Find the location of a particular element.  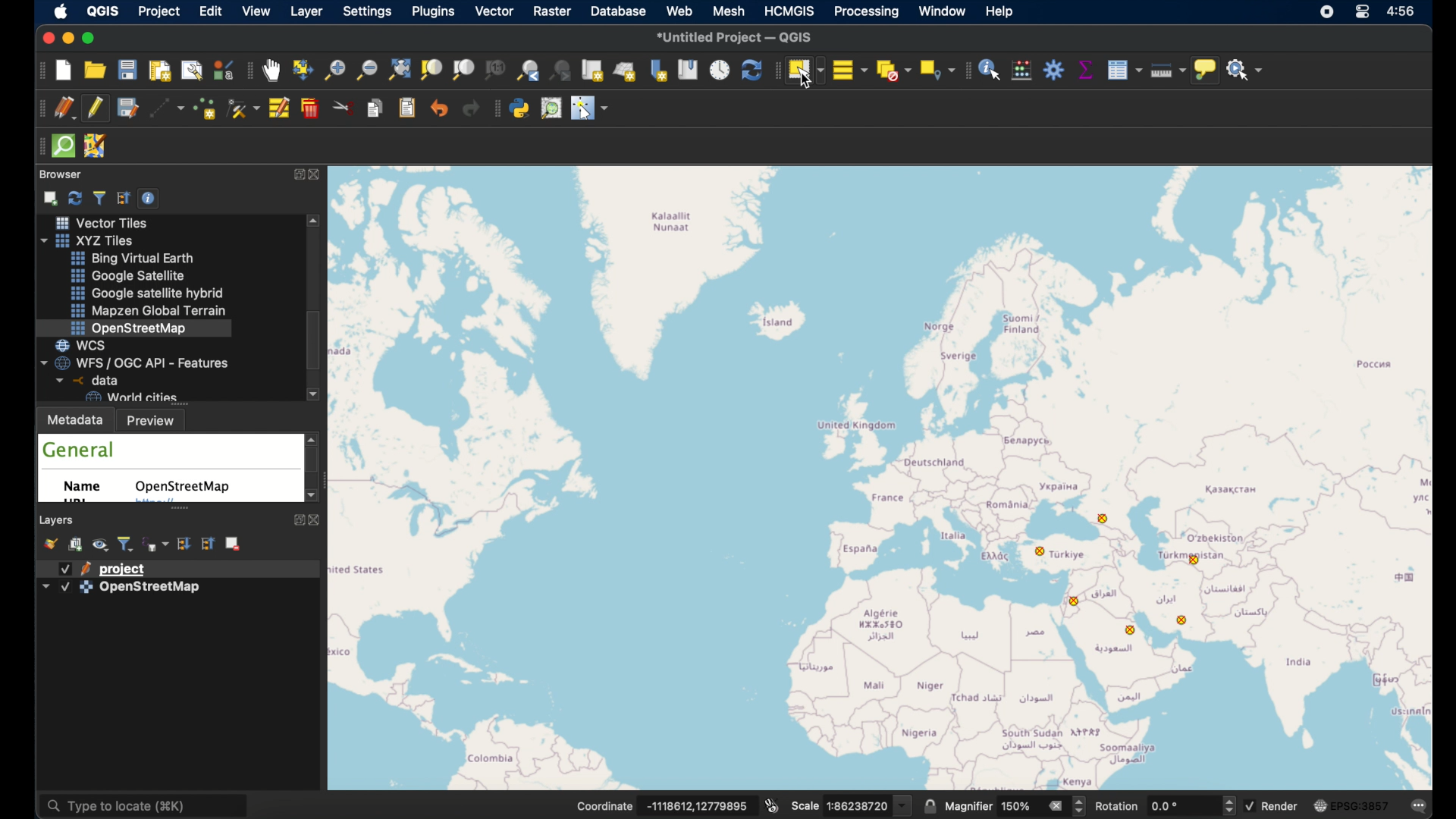

statistical summary is located at coordinates (1084, 70).